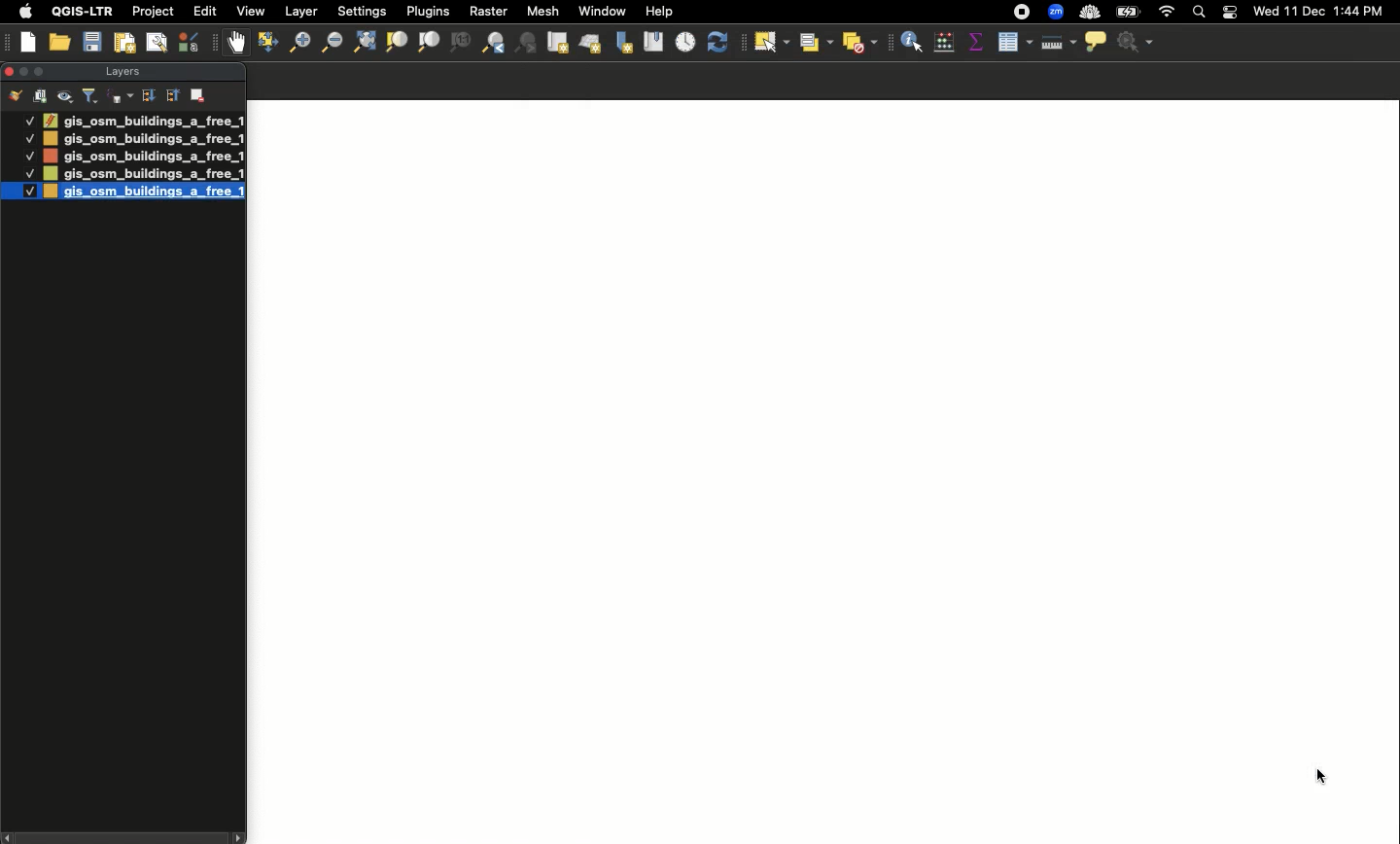  Describe the element at coordinates (1095, 41) in the screenshot. I see `Show map tips` at that location.